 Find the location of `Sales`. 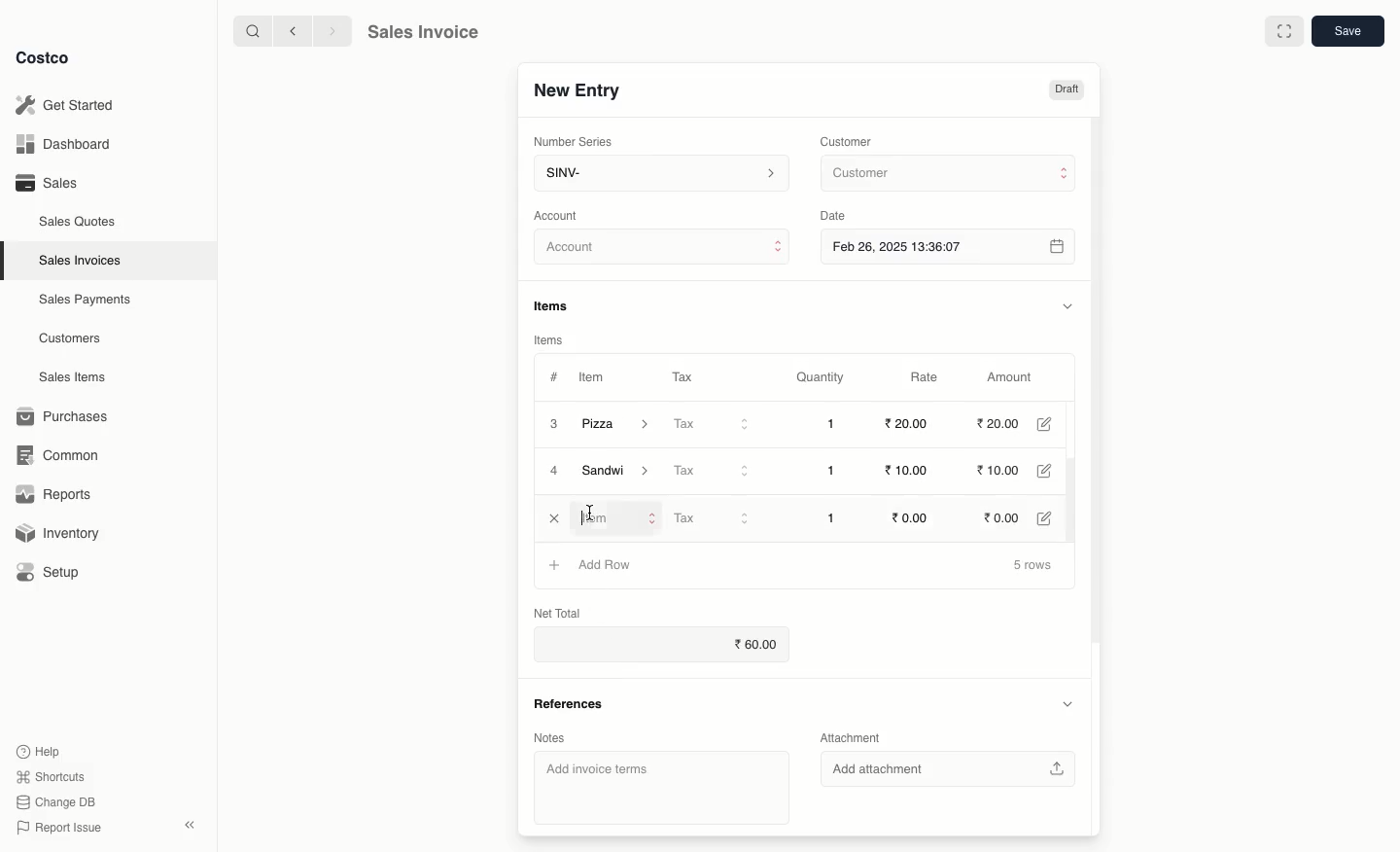

Sales is located at coordinates (46, 183).